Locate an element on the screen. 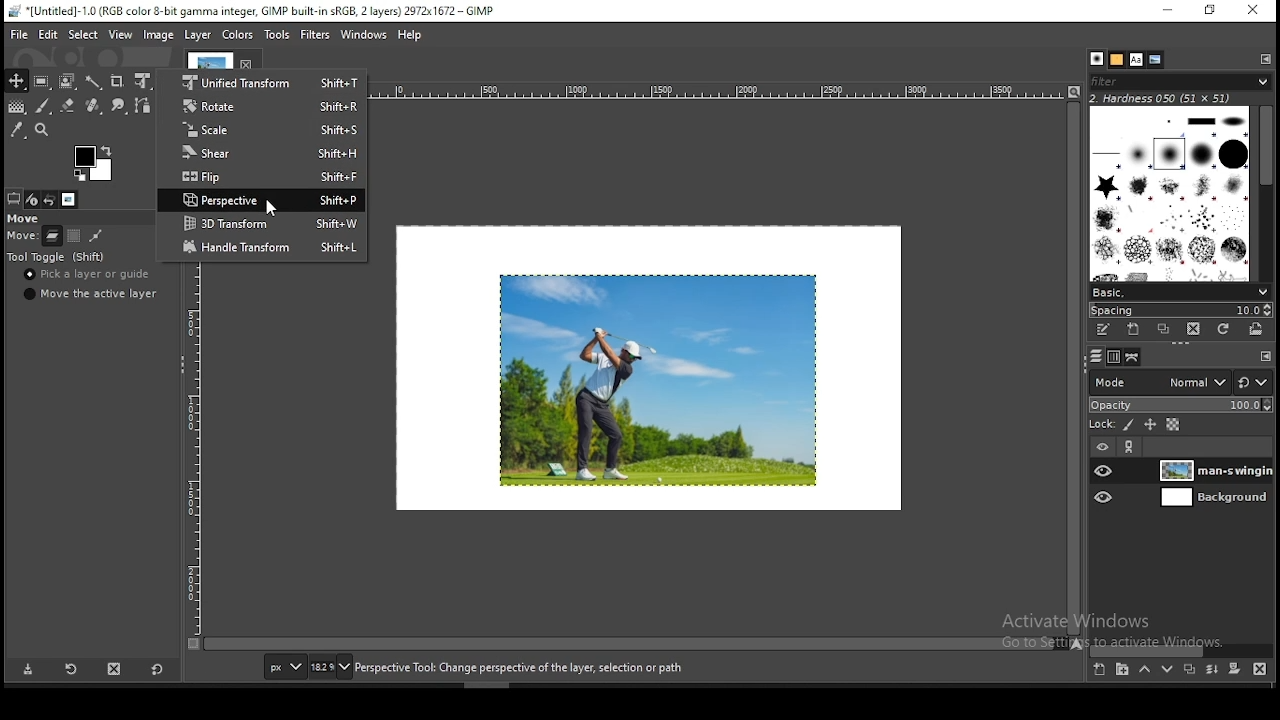  configure this tab is located at coordinates (1263, 355).